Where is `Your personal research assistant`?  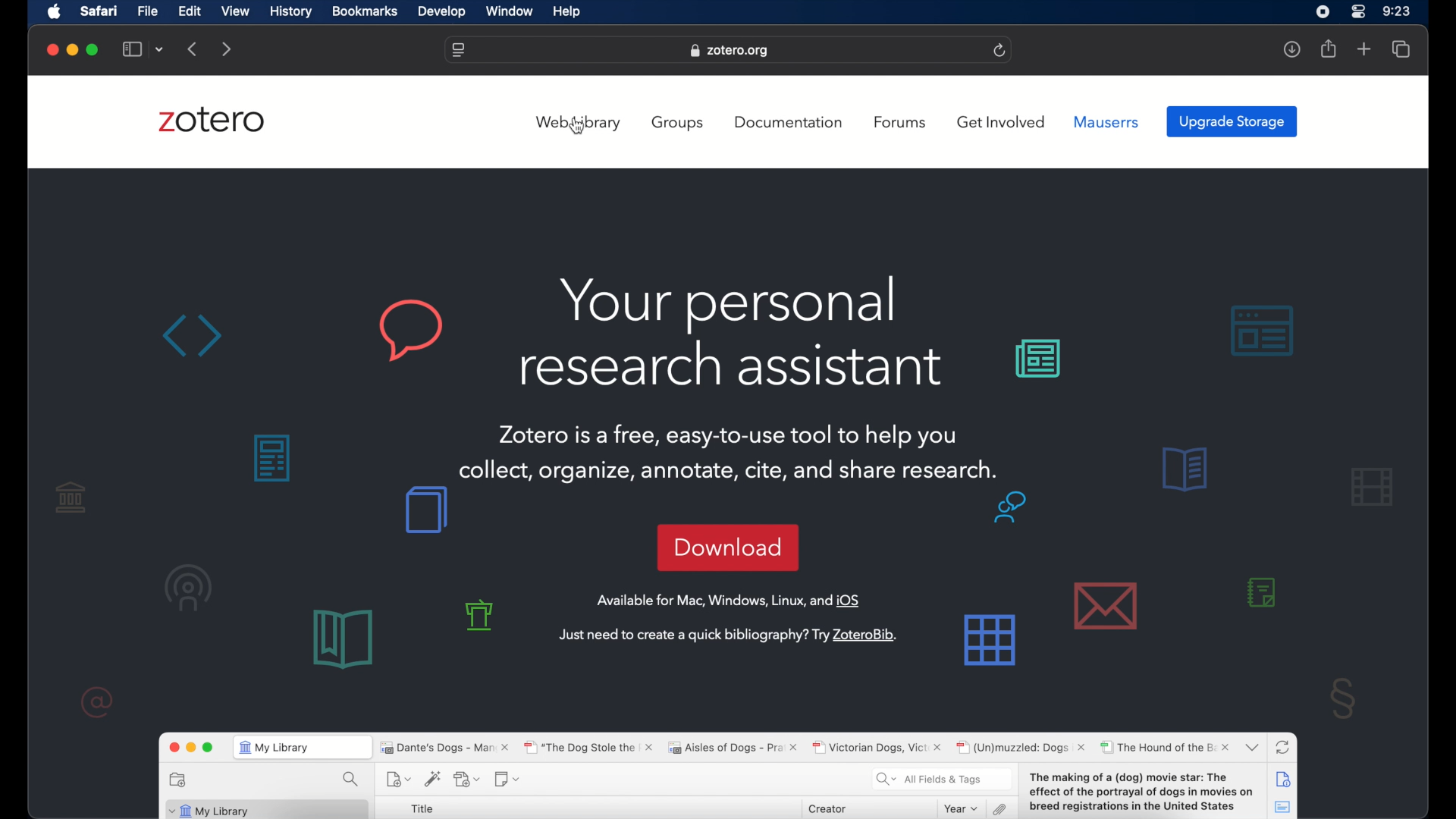
Your personal research assistant is located at coordinates (730, 332).